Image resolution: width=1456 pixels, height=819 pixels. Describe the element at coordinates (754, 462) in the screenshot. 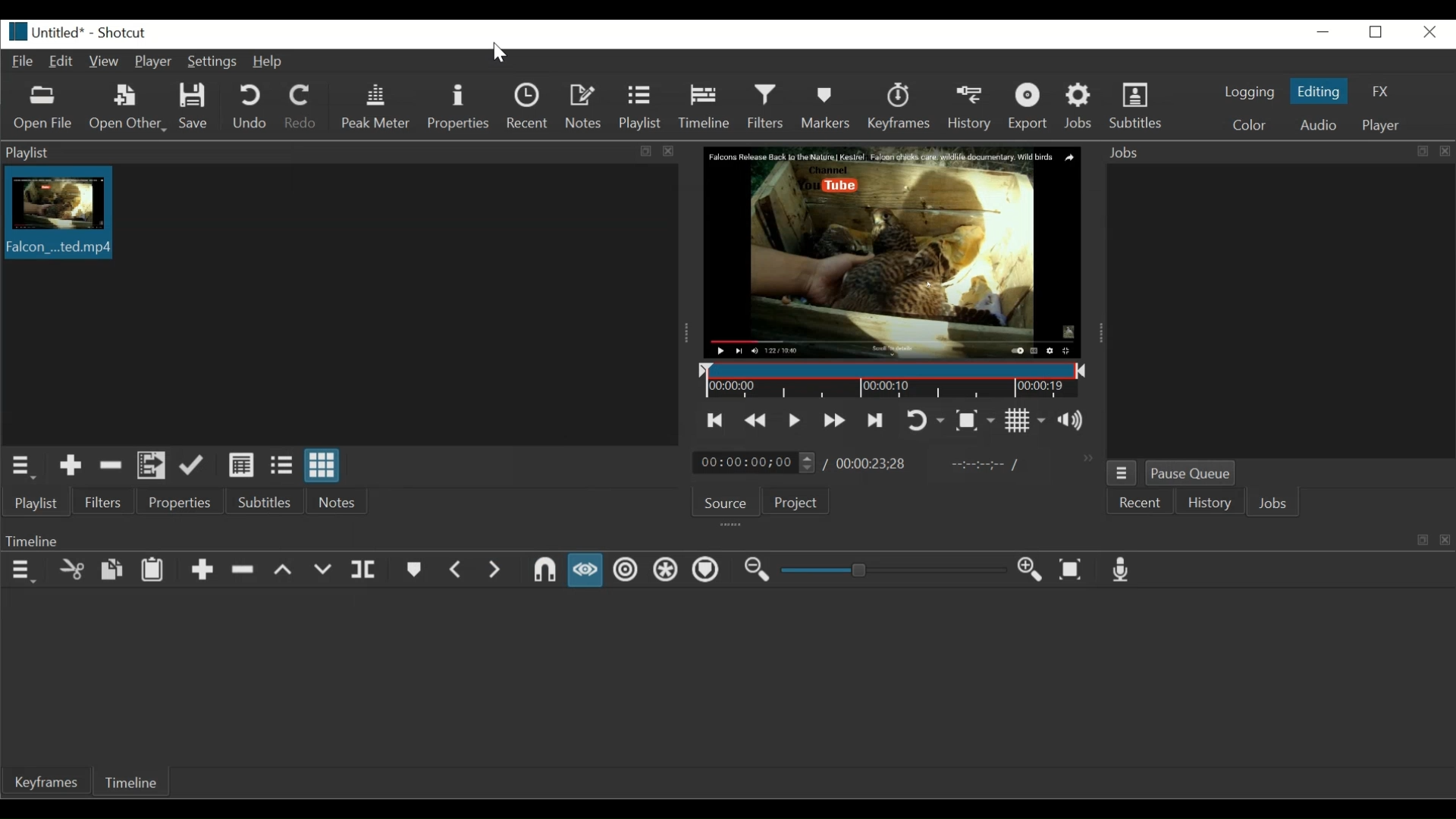

I see `00:00:00:00(Current position)` at that location.